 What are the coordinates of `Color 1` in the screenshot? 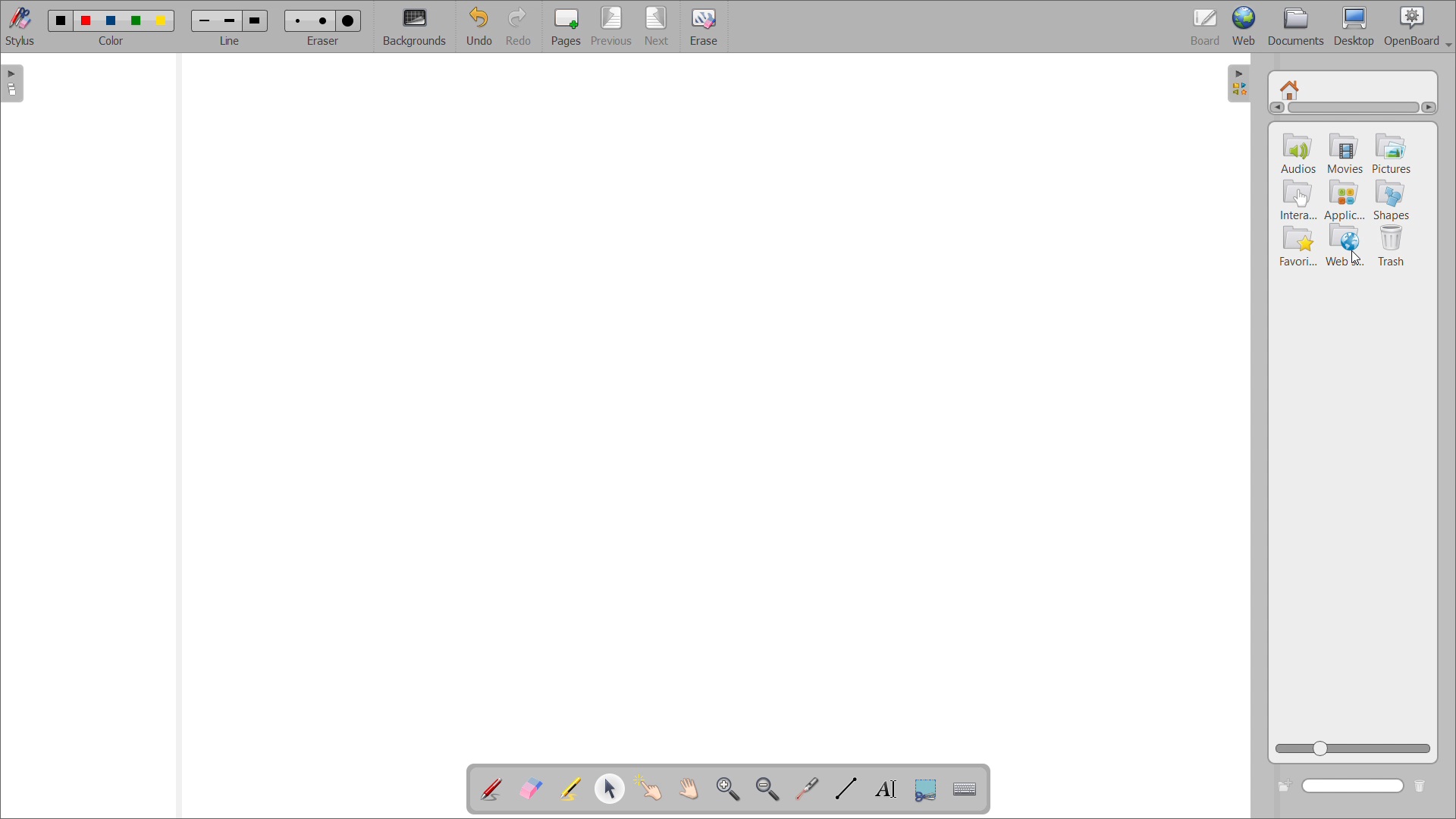 It's located at (59, 20).